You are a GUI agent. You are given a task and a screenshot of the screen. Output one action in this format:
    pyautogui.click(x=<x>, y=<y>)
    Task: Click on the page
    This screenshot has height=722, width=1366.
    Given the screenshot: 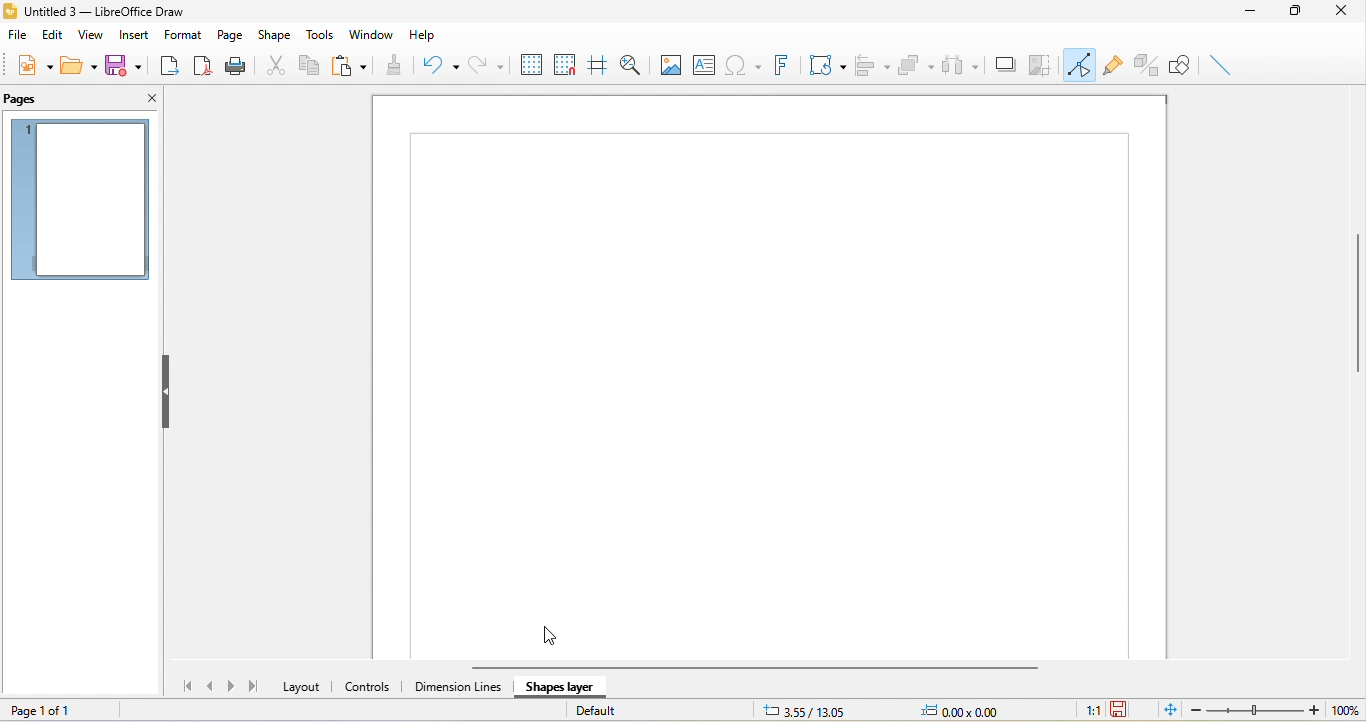 What is the action you would take?
    pyautogui.click(x=229, y=35)
    